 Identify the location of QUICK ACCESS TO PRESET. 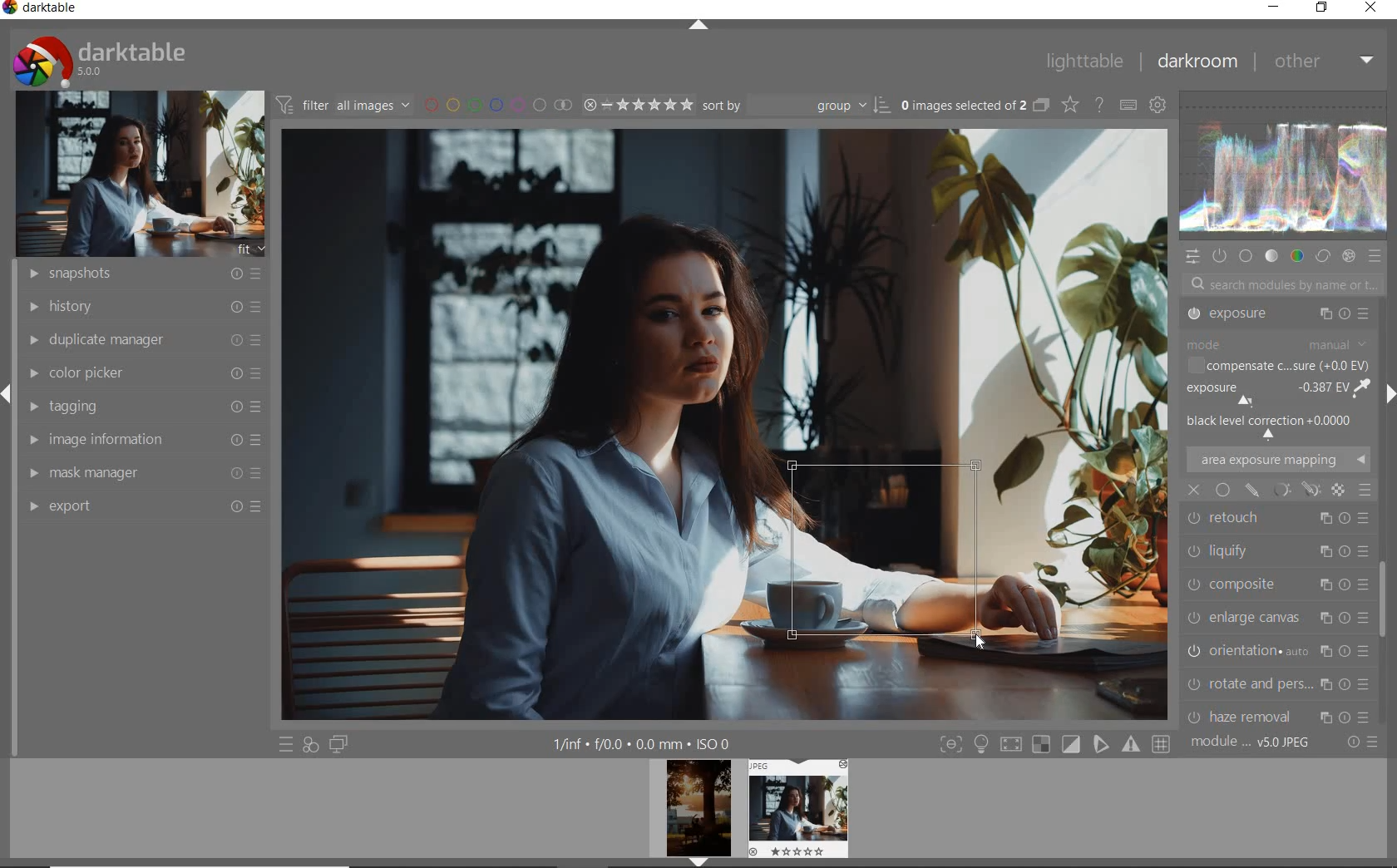
(285, 743).